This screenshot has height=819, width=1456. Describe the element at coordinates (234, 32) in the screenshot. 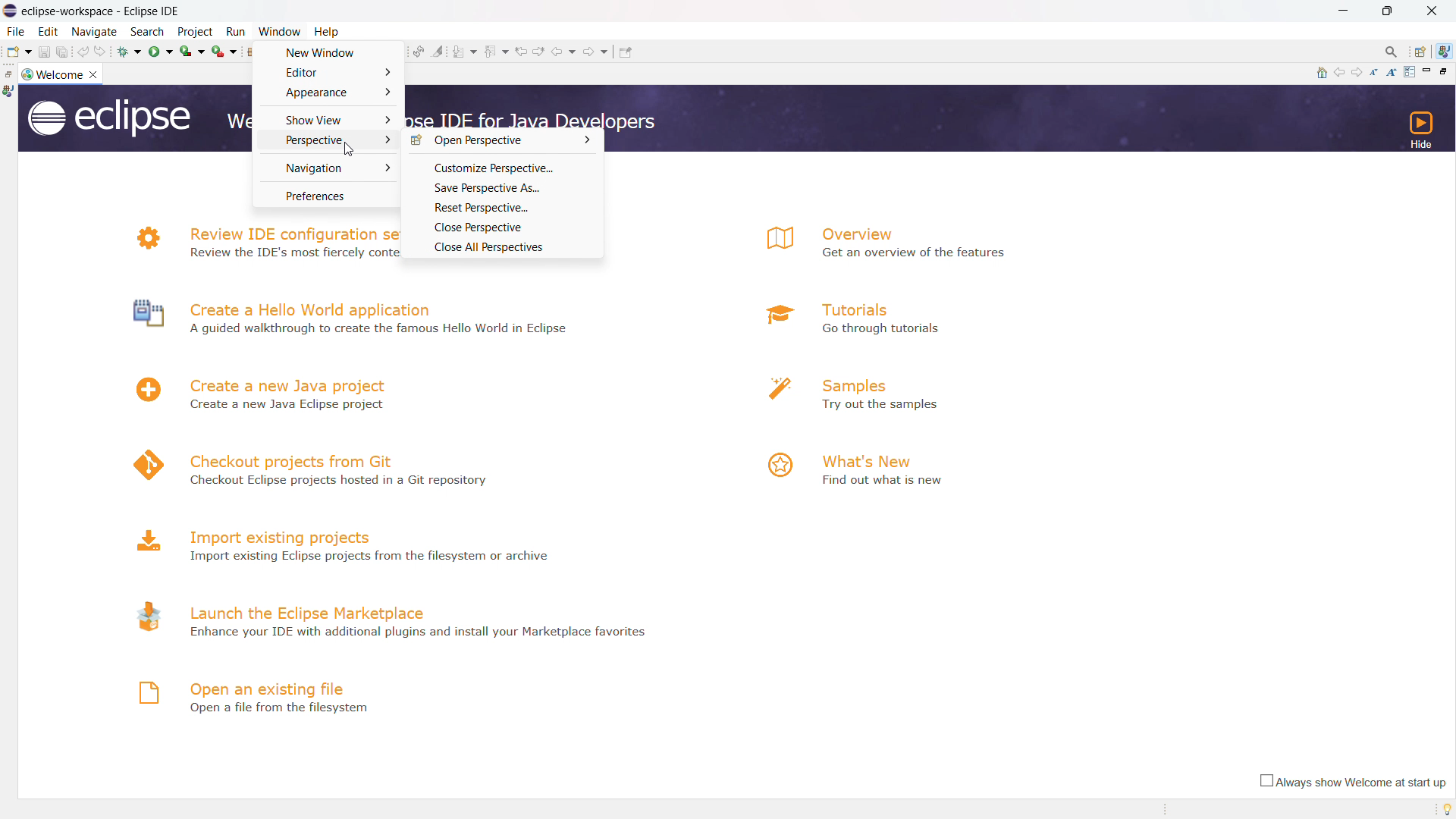

I see `run` at that location.